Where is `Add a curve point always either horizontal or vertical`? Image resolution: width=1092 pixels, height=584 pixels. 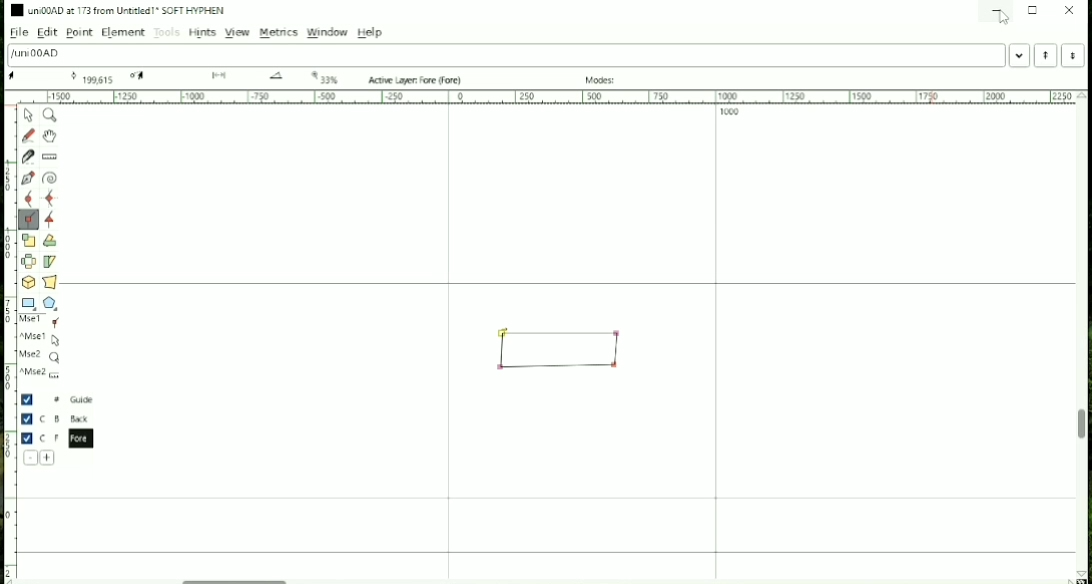
Add a curve point always either horizontal or vertical is located at coordinates (51, 198).